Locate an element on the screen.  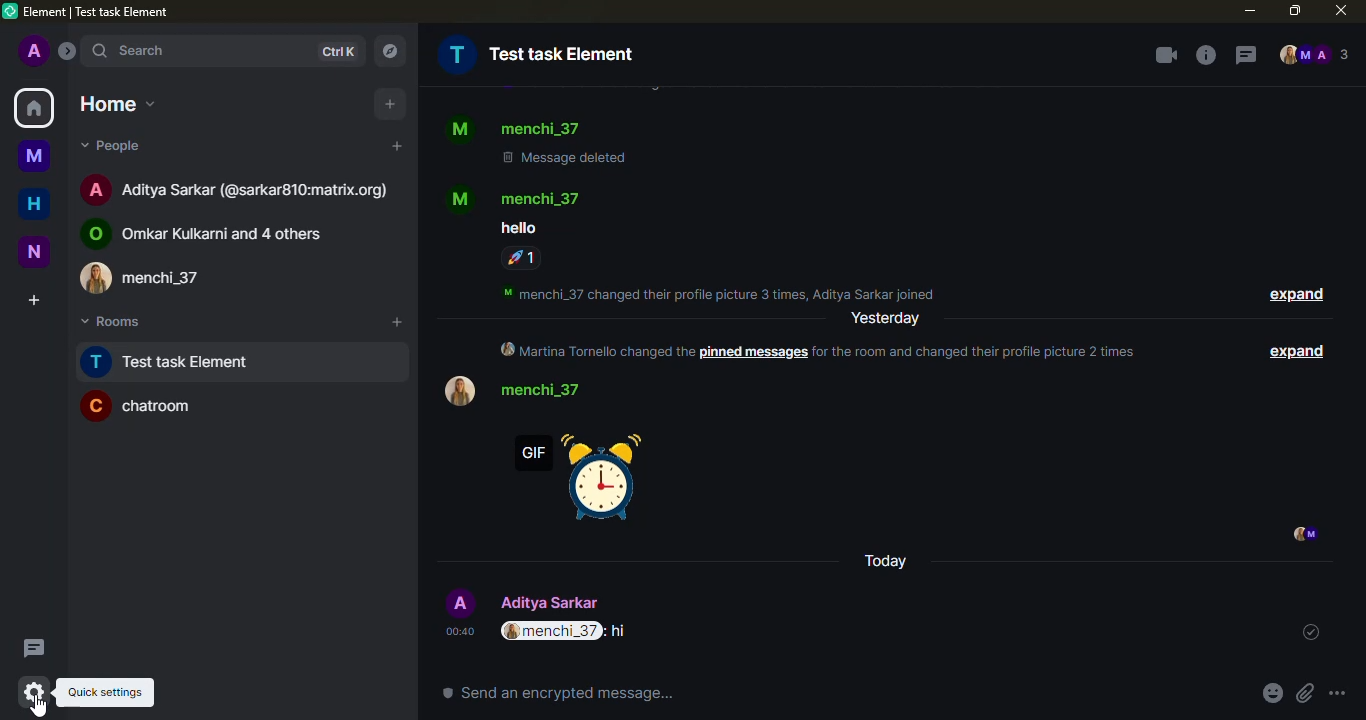
profile is located at coordinates (457, 198).